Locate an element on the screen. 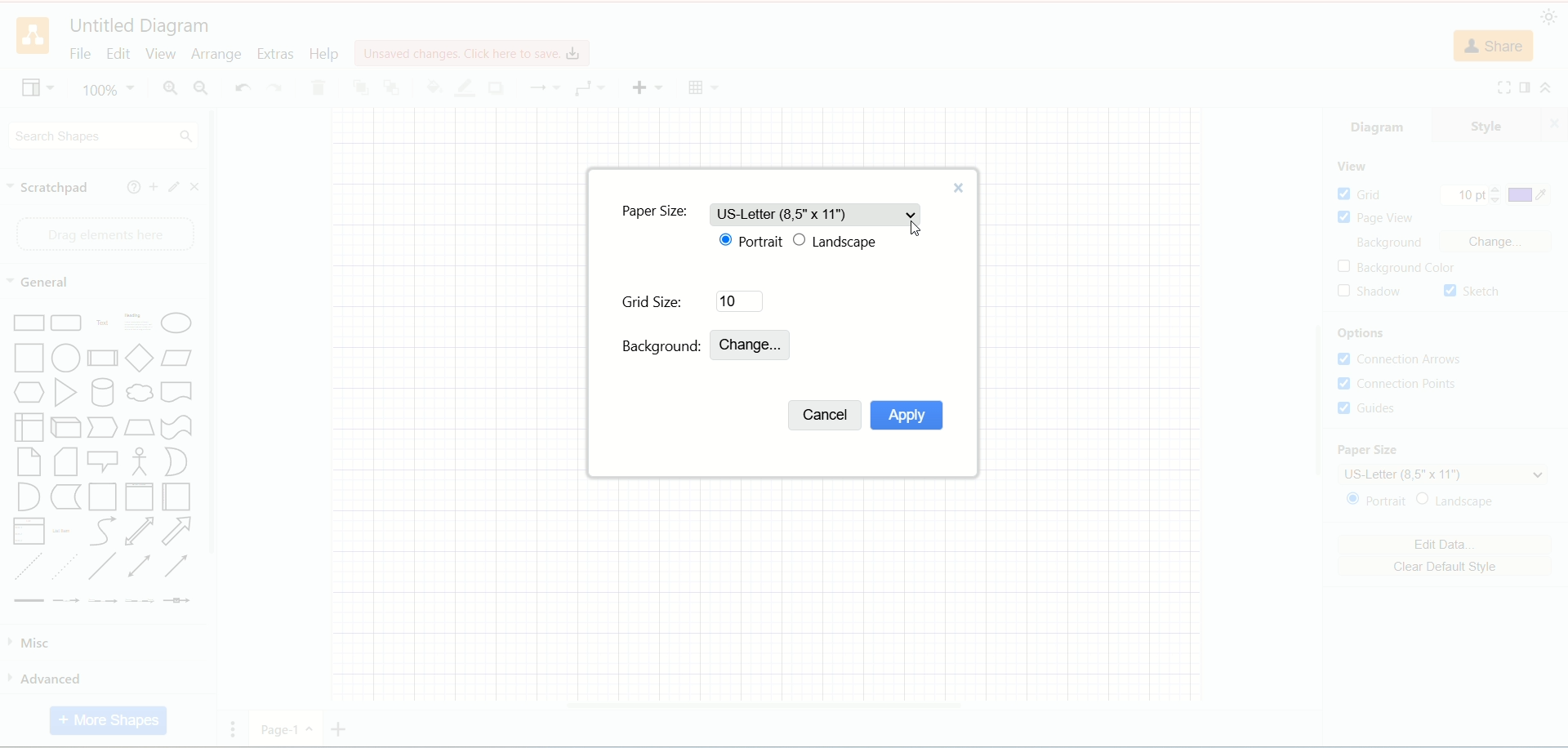 Image resolution: width=1568 pixels, height=748 pixels. diagram is located at coordinates (1380, 124).